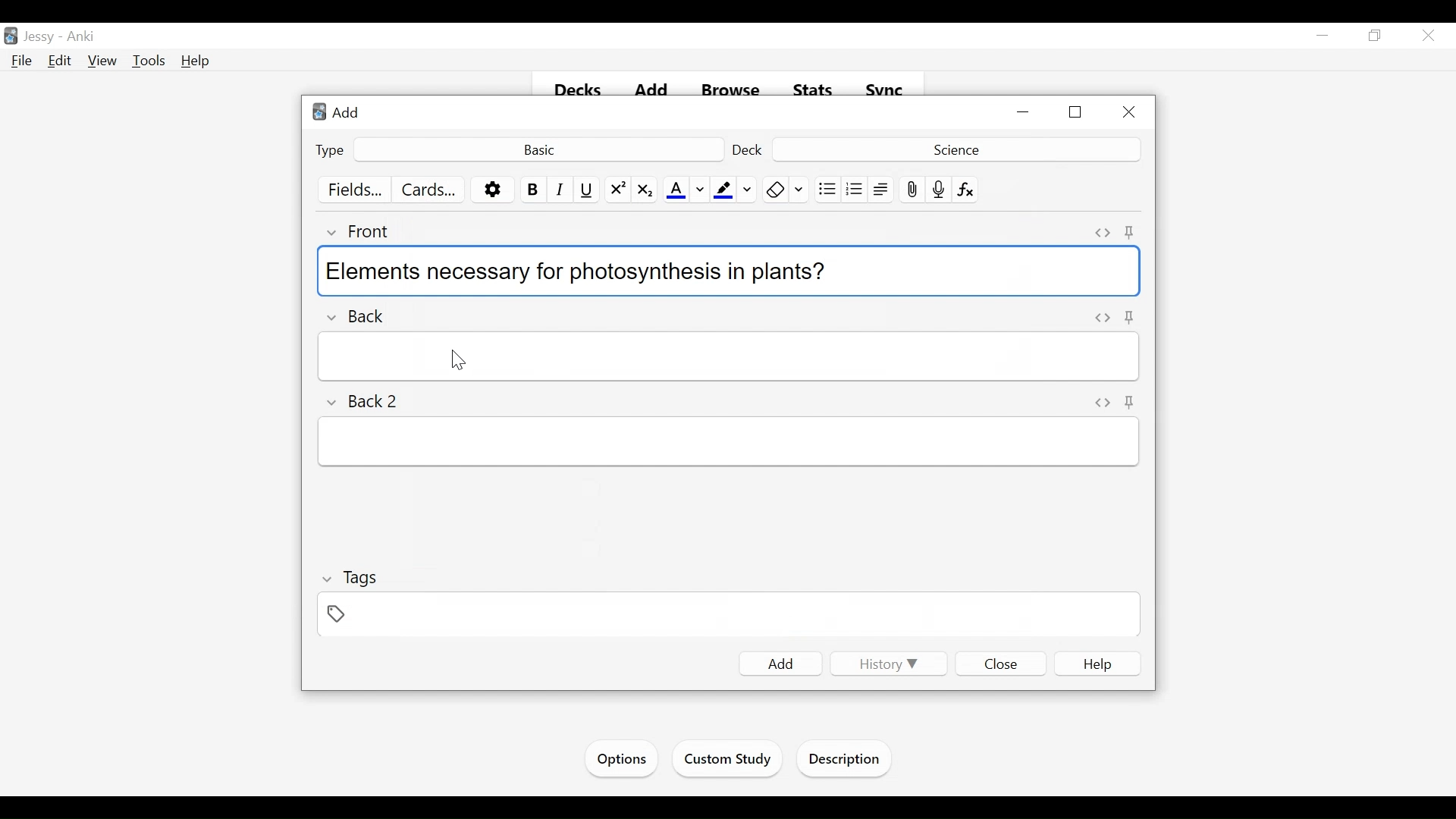 The height and width of the screenshot is (819, 1456). I want to click on Toggle HTML Editor, so click(1103, 233).